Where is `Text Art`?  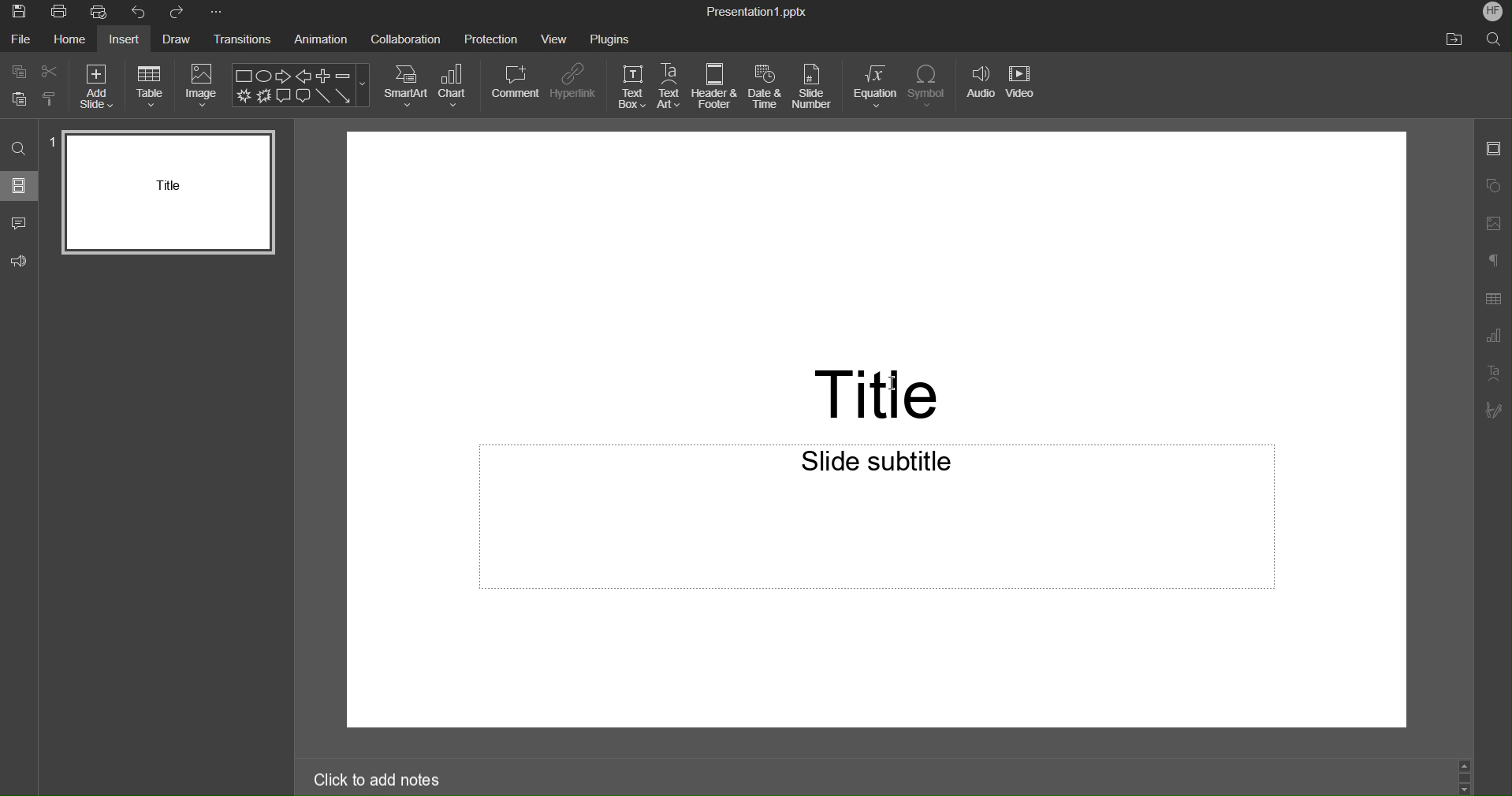
Text Art is located at coordinates (1492, 373).